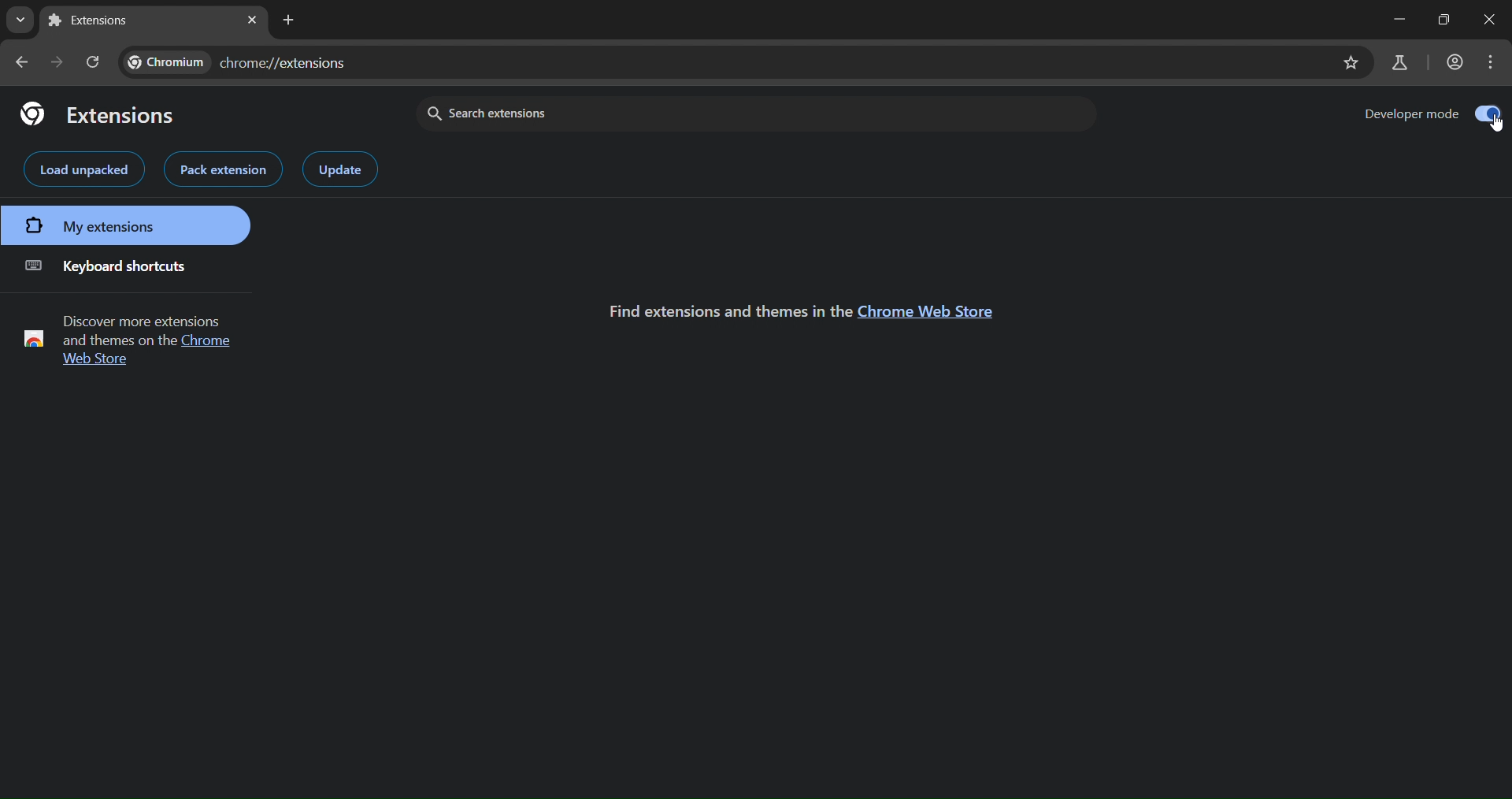 The image size is (1512, 799). Describe the element at coordinates (93, 61) in the screenshot. I see `reload page` at that location.